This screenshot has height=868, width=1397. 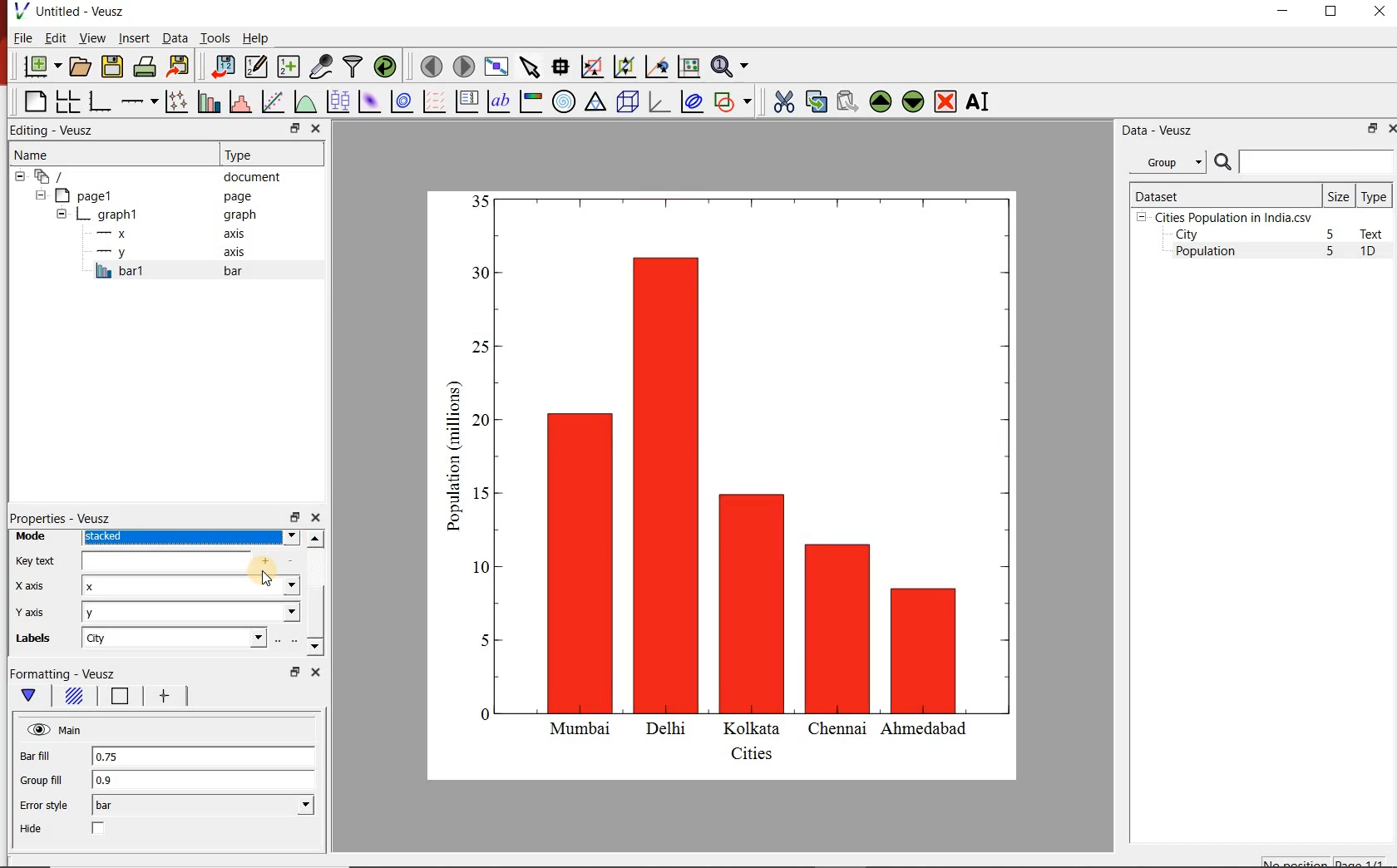 What do you see at coordinates (89, 37) in the screenshot?
I see `View` at bounding box center [89, 37].